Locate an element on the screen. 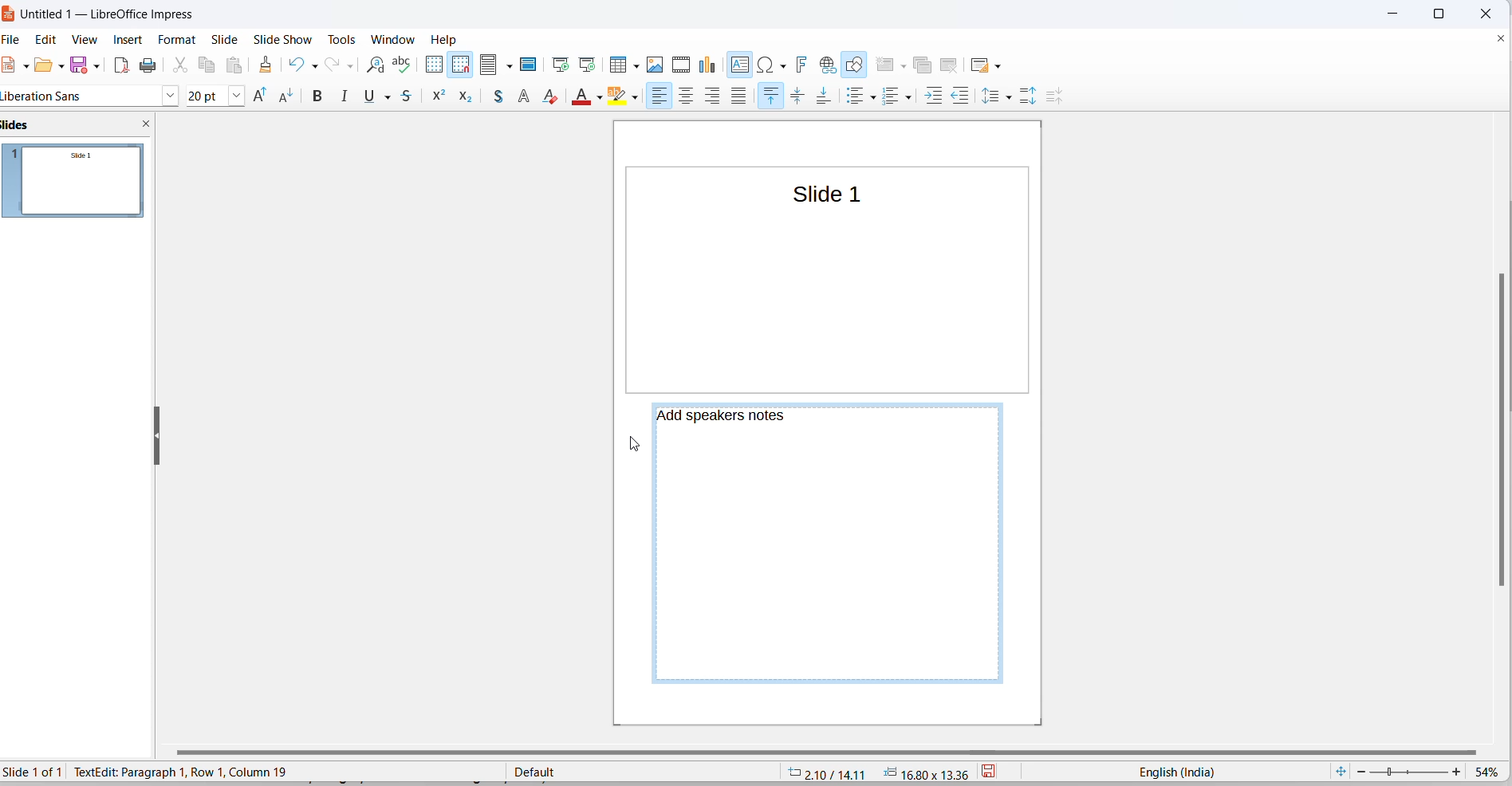  copy is located at coordinates (208, 65).